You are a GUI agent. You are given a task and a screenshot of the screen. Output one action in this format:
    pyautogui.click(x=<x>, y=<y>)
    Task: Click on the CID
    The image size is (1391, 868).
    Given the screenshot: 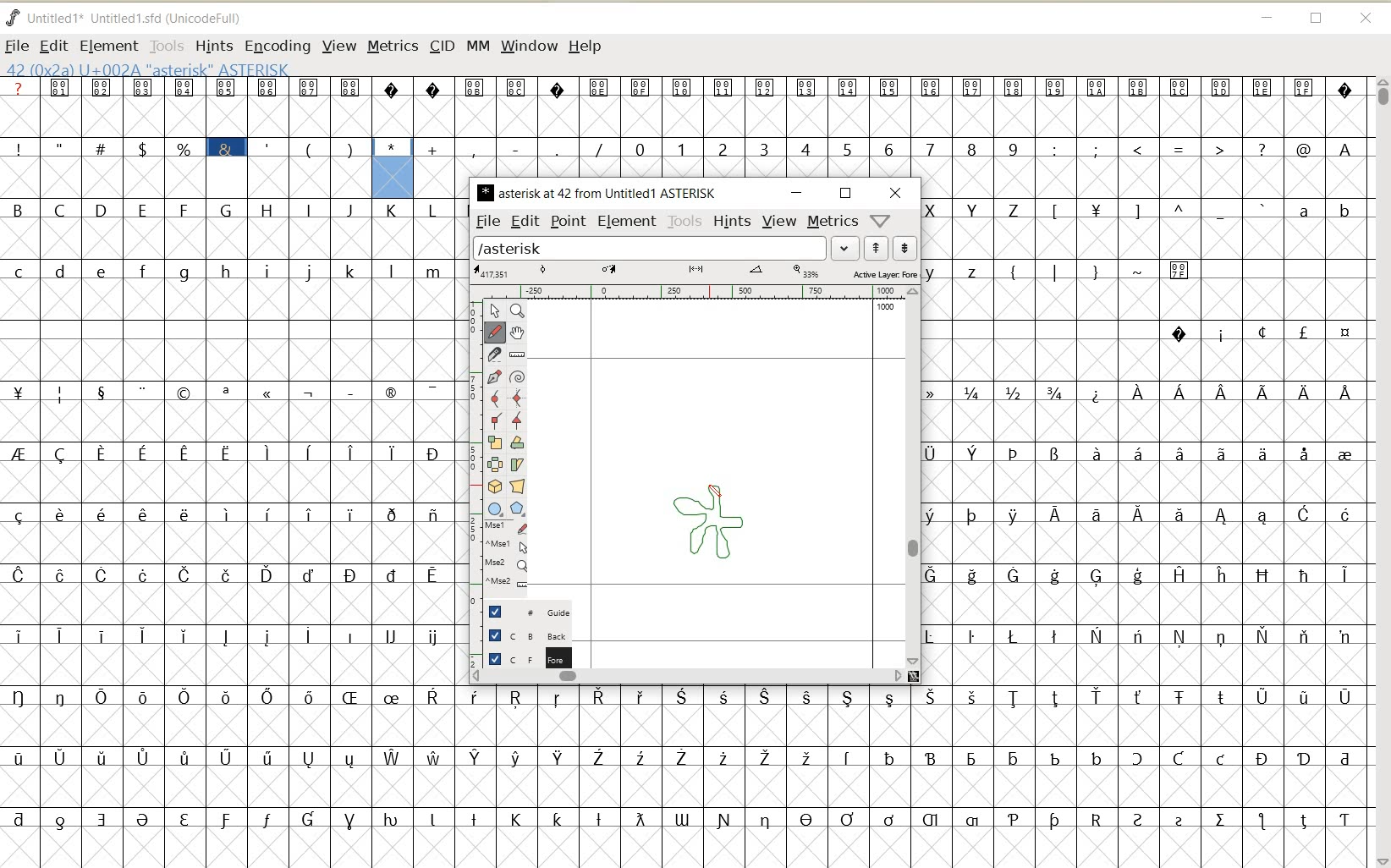 What is the action you would take?
    pyautogui.click(x=440, y=46)
    